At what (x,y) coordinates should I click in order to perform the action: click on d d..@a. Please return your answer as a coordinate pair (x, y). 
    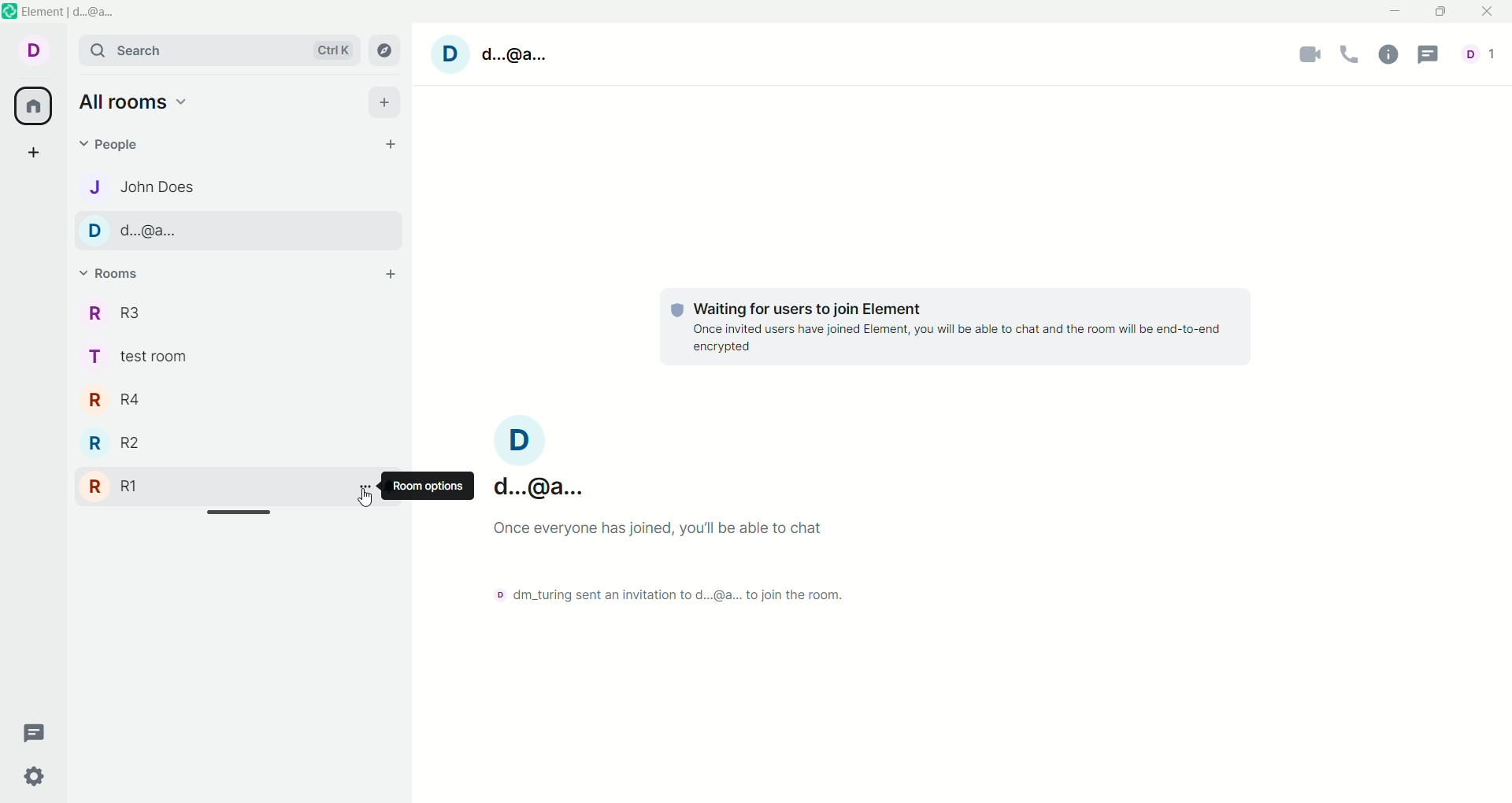
    Looking at the image, I should click on (239, 230).